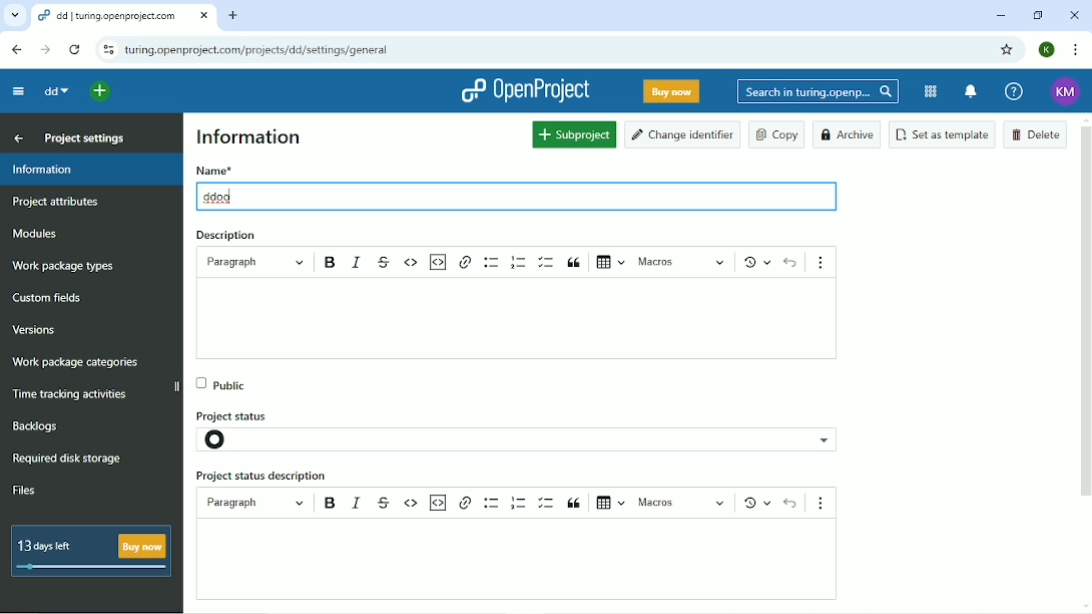 The width and height of the screenshot is (1092, 614). I want to click on italics, so click(359, 501).